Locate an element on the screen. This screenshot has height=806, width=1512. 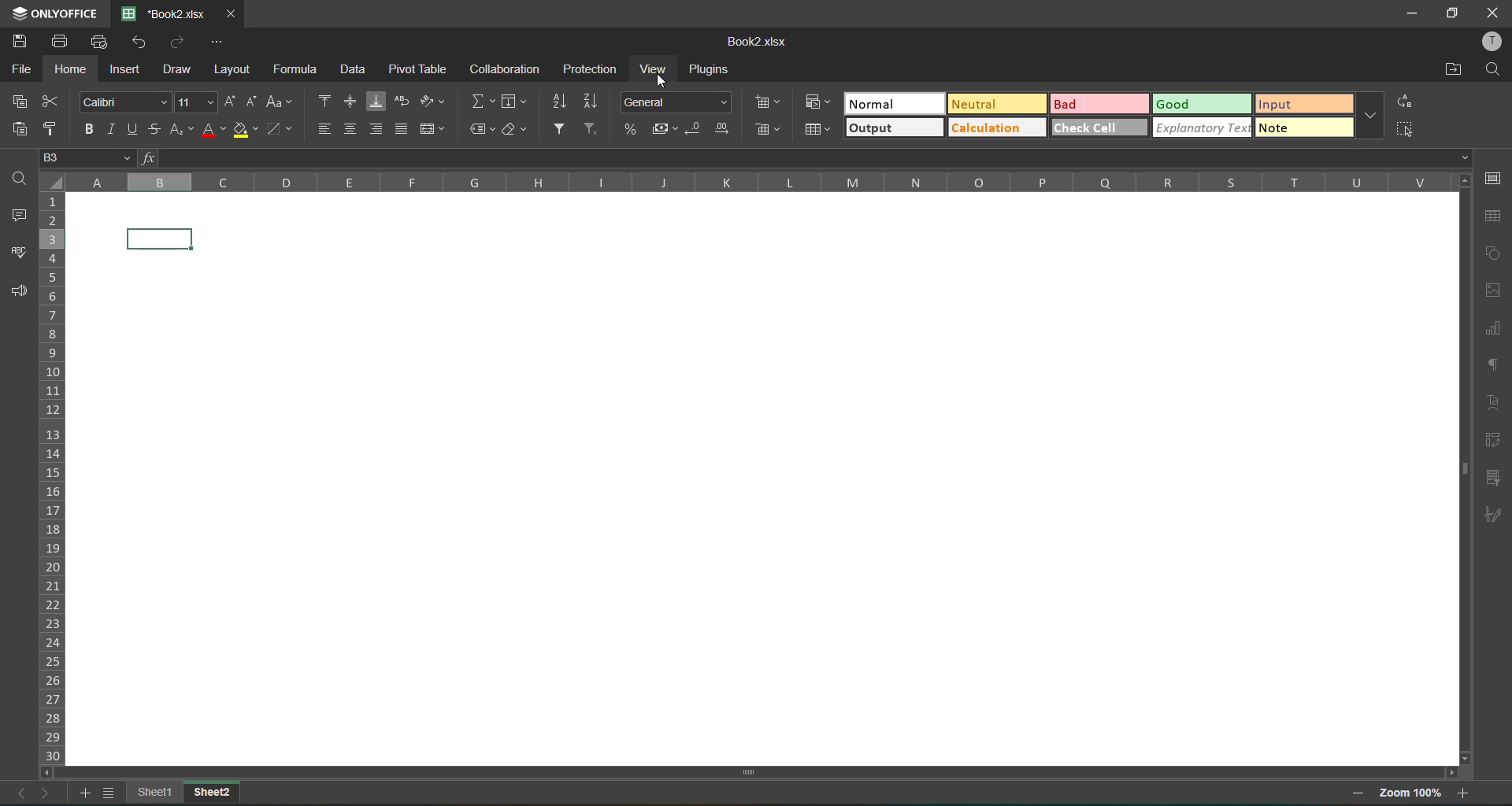
undo is located at coordinates (143, 41).